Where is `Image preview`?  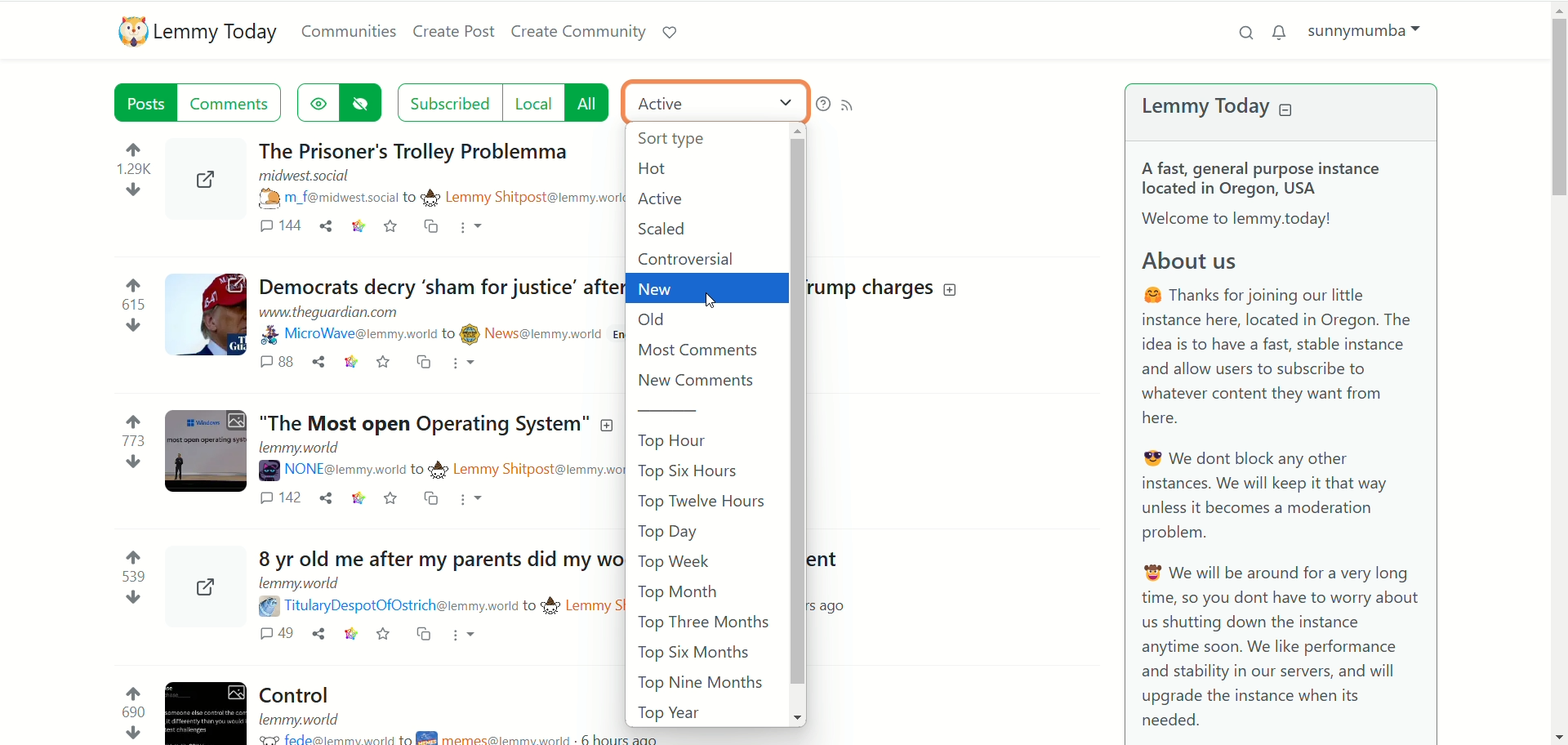 Image preview is located at coordinates (212, 184).